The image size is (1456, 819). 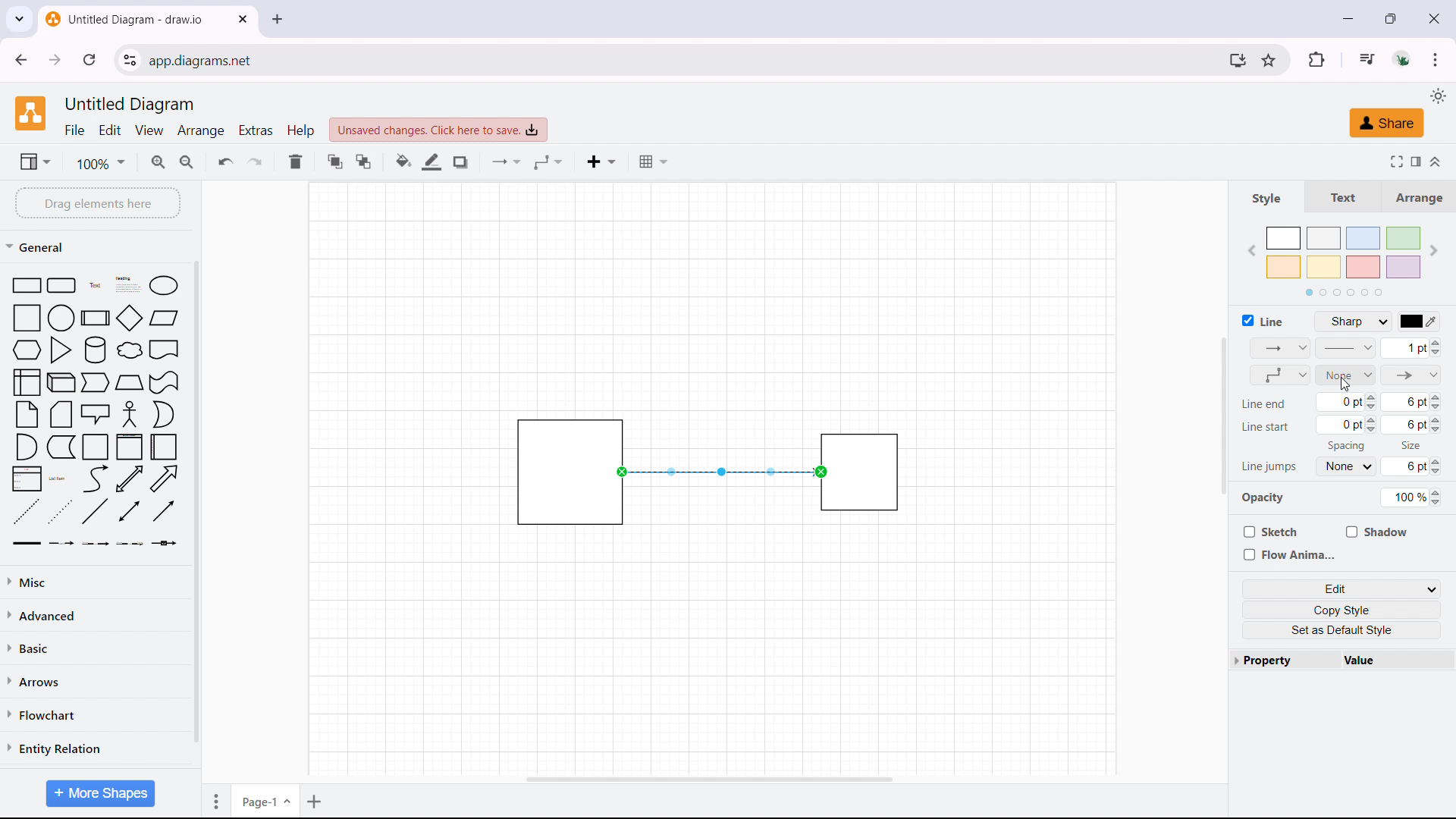 I want to click on object 1, so click(x=549, y=471).